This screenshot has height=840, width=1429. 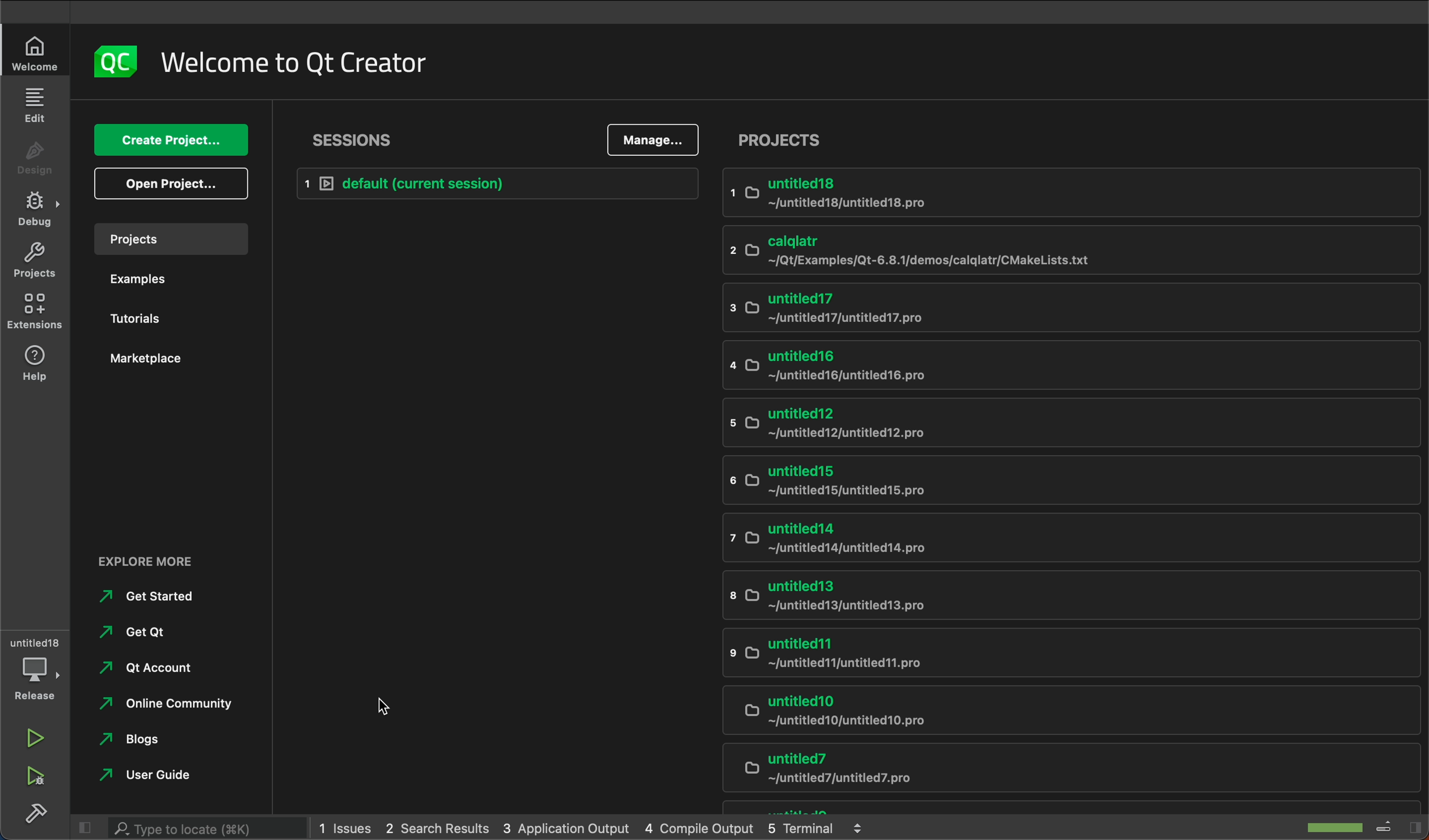 I want to click on untitled15, so click(x=1008, y=482).